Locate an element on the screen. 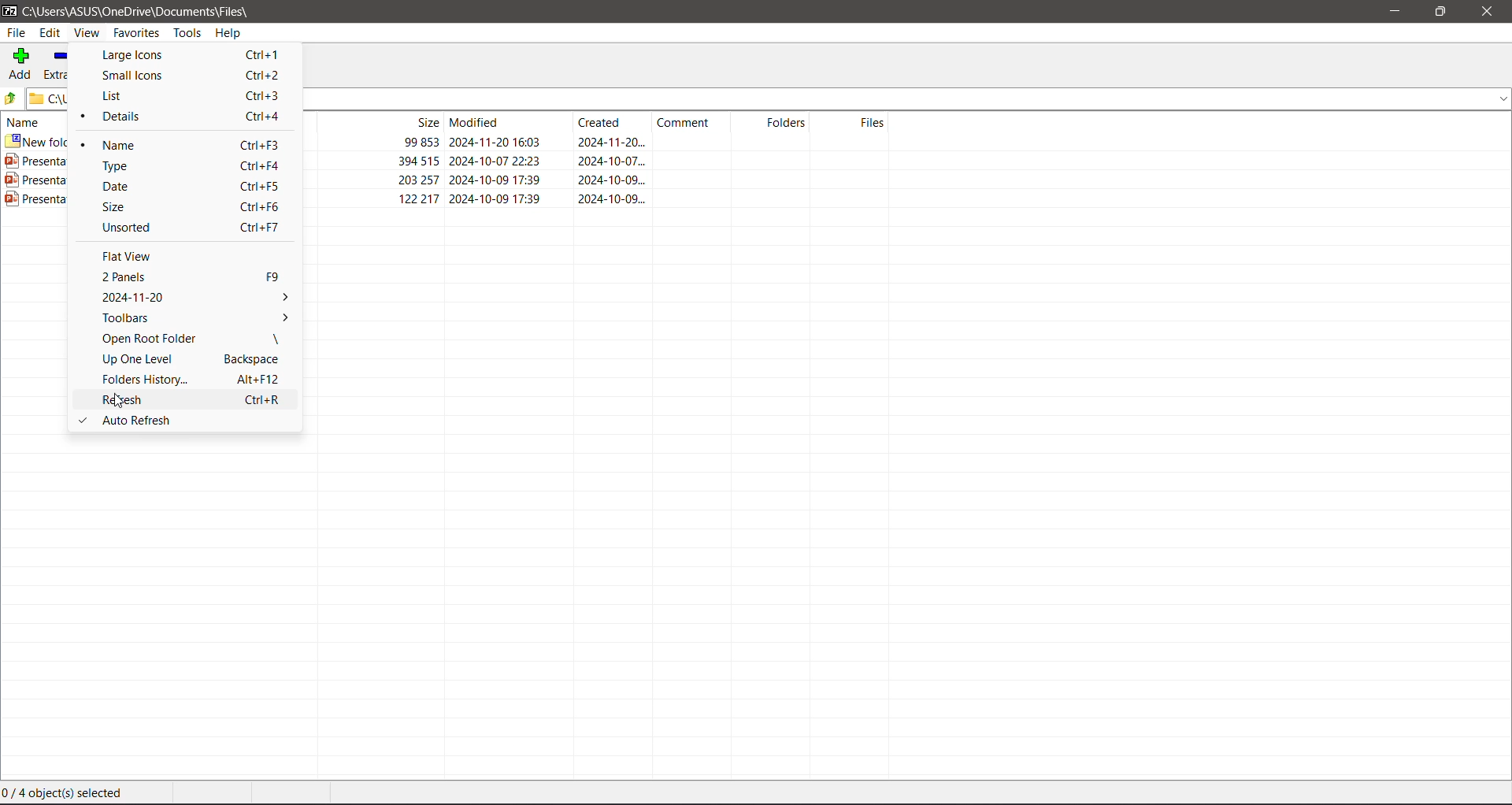 This screenshot has height=805, width=1512. Date is located at coordinates (135, 185).